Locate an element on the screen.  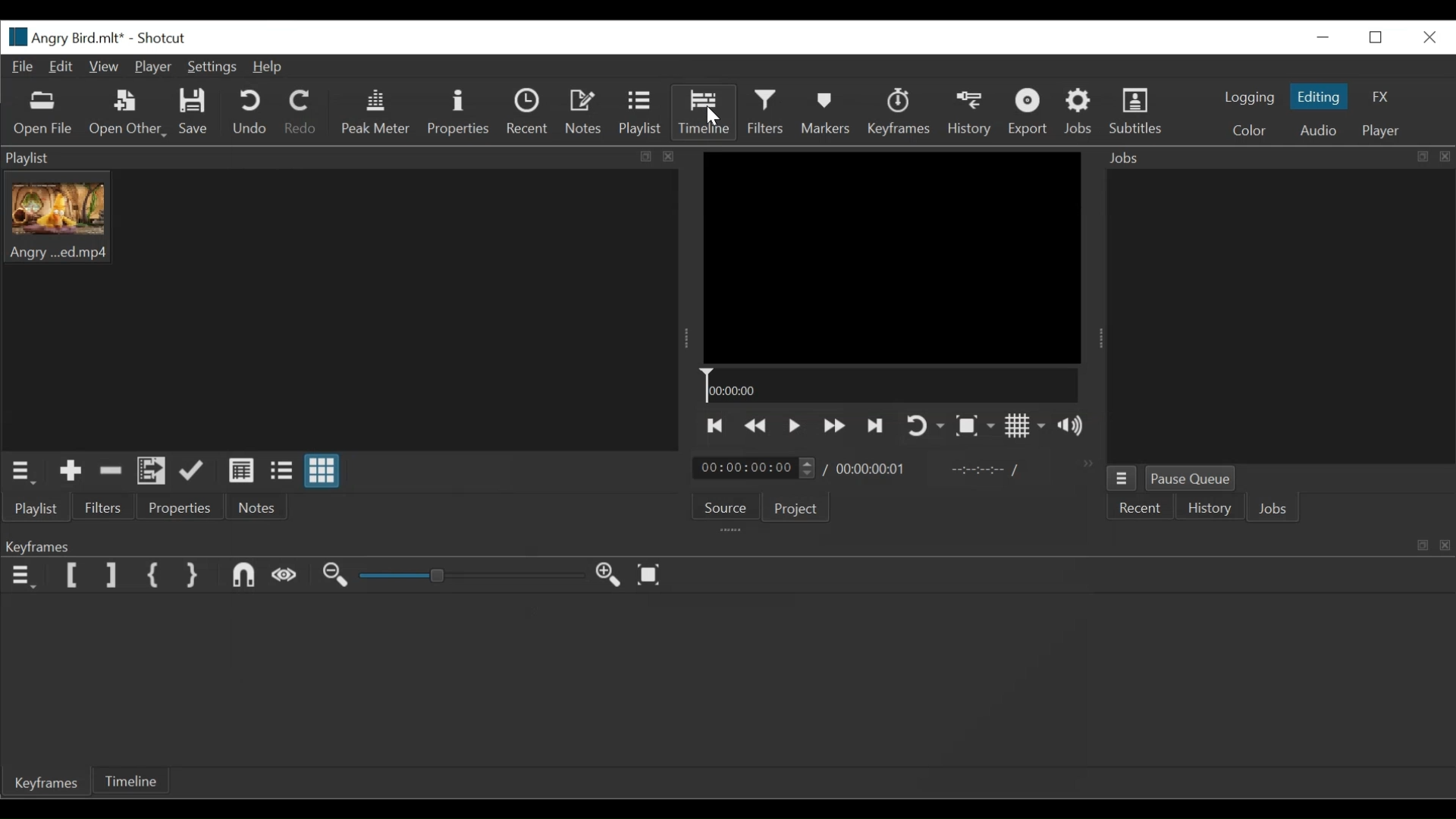
Cursor is located at coordinates (713, 117).